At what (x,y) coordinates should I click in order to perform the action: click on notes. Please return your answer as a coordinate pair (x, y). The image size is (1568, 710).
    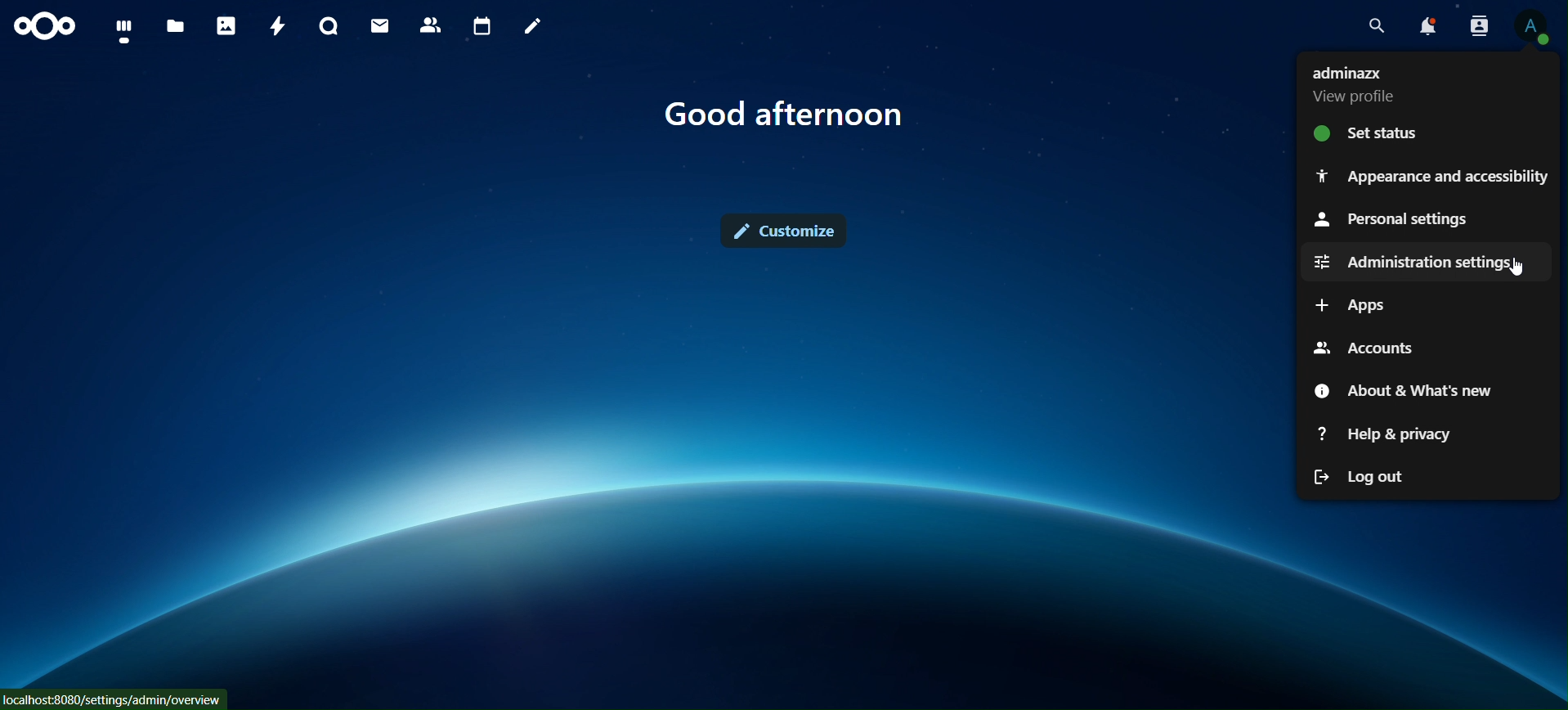
    Looking at the image, I should click on (533, 25).